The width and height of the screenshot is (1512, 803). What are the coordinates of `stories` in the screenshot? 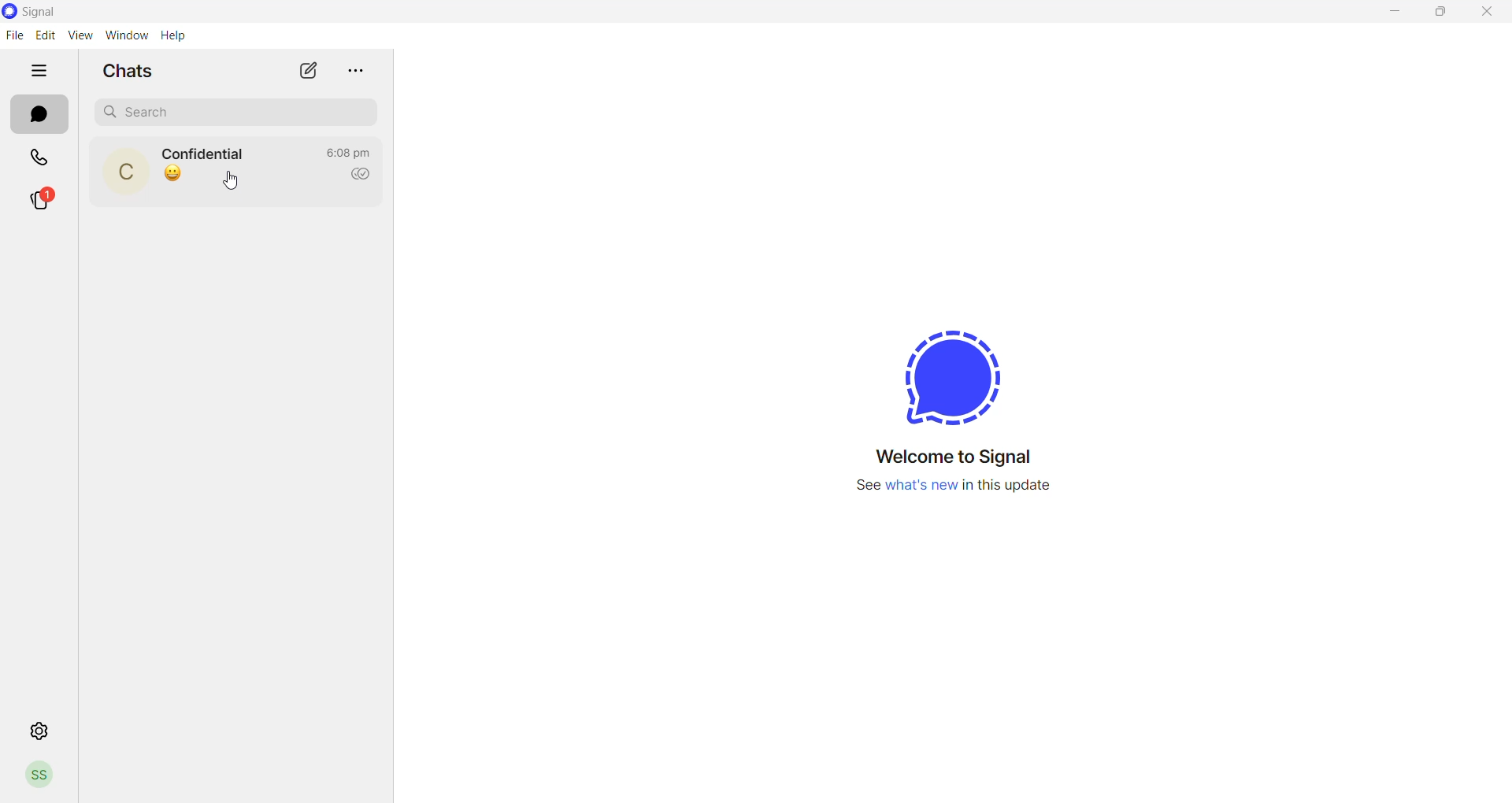 It's located at (44, 198).